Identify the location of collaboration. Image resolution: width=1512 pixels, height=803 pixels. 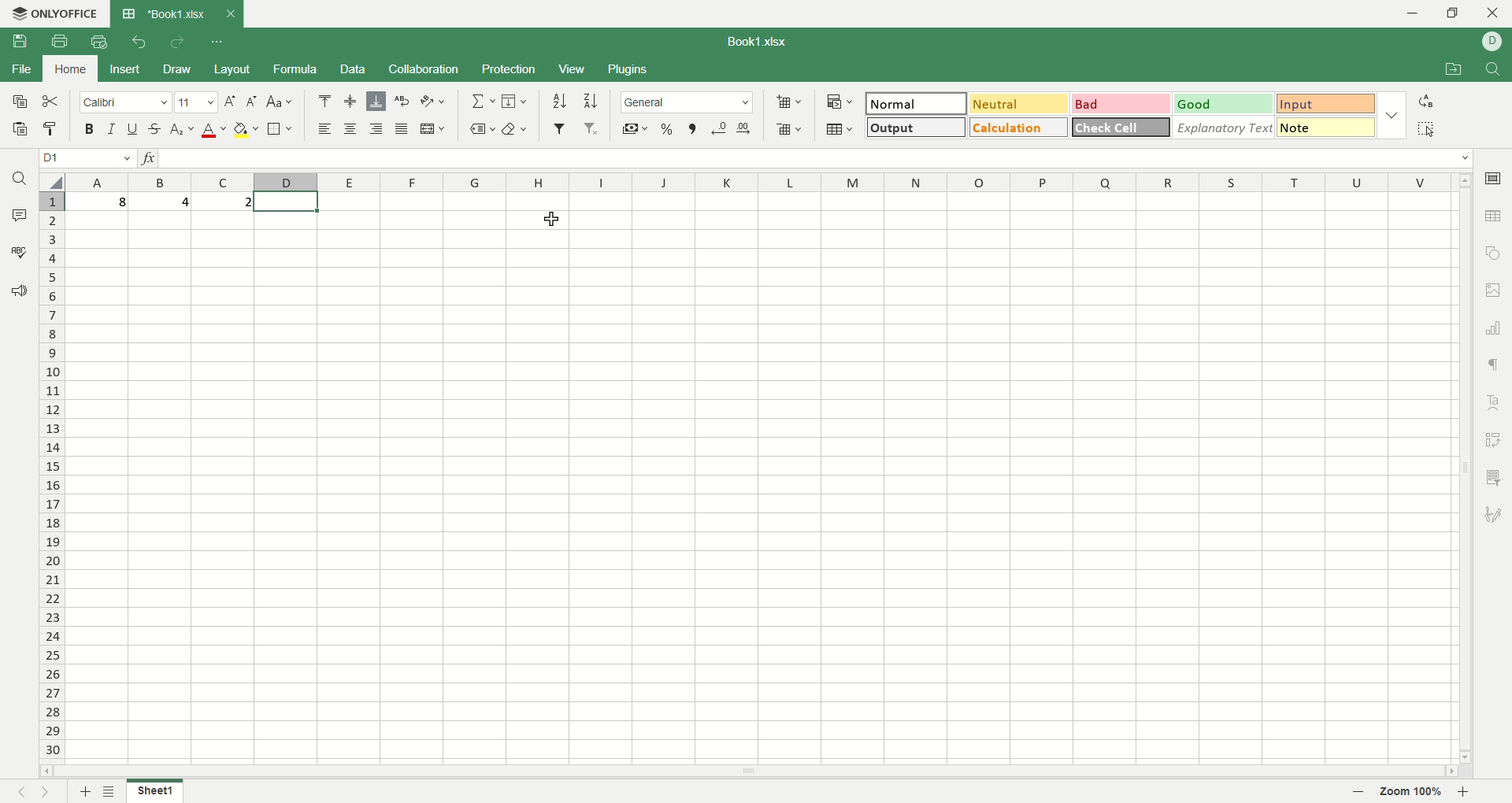
(425, 69).